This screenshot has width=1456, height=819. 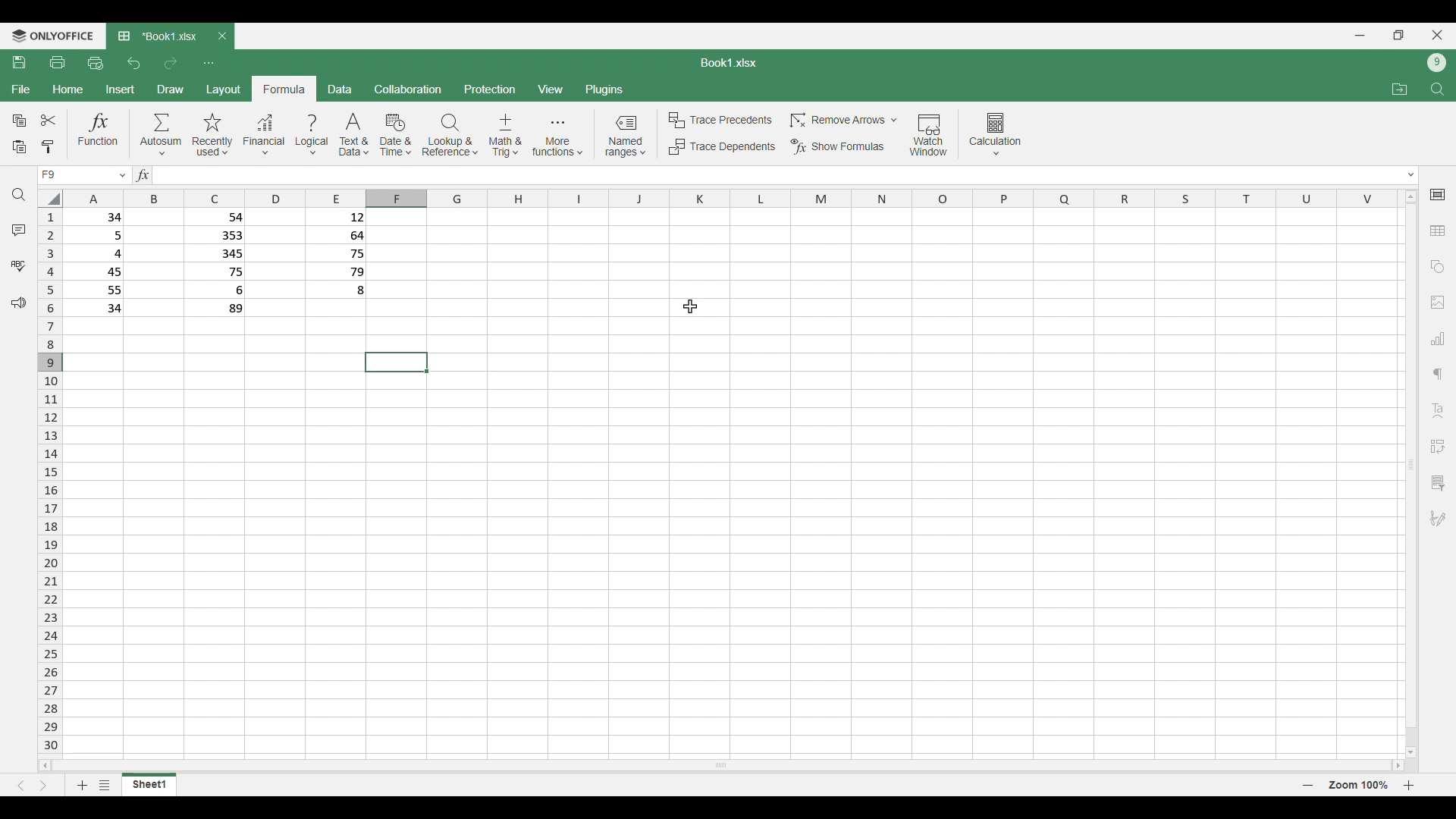 I want to click on Add digital signature or signature line, so click(x=1438, y=519).